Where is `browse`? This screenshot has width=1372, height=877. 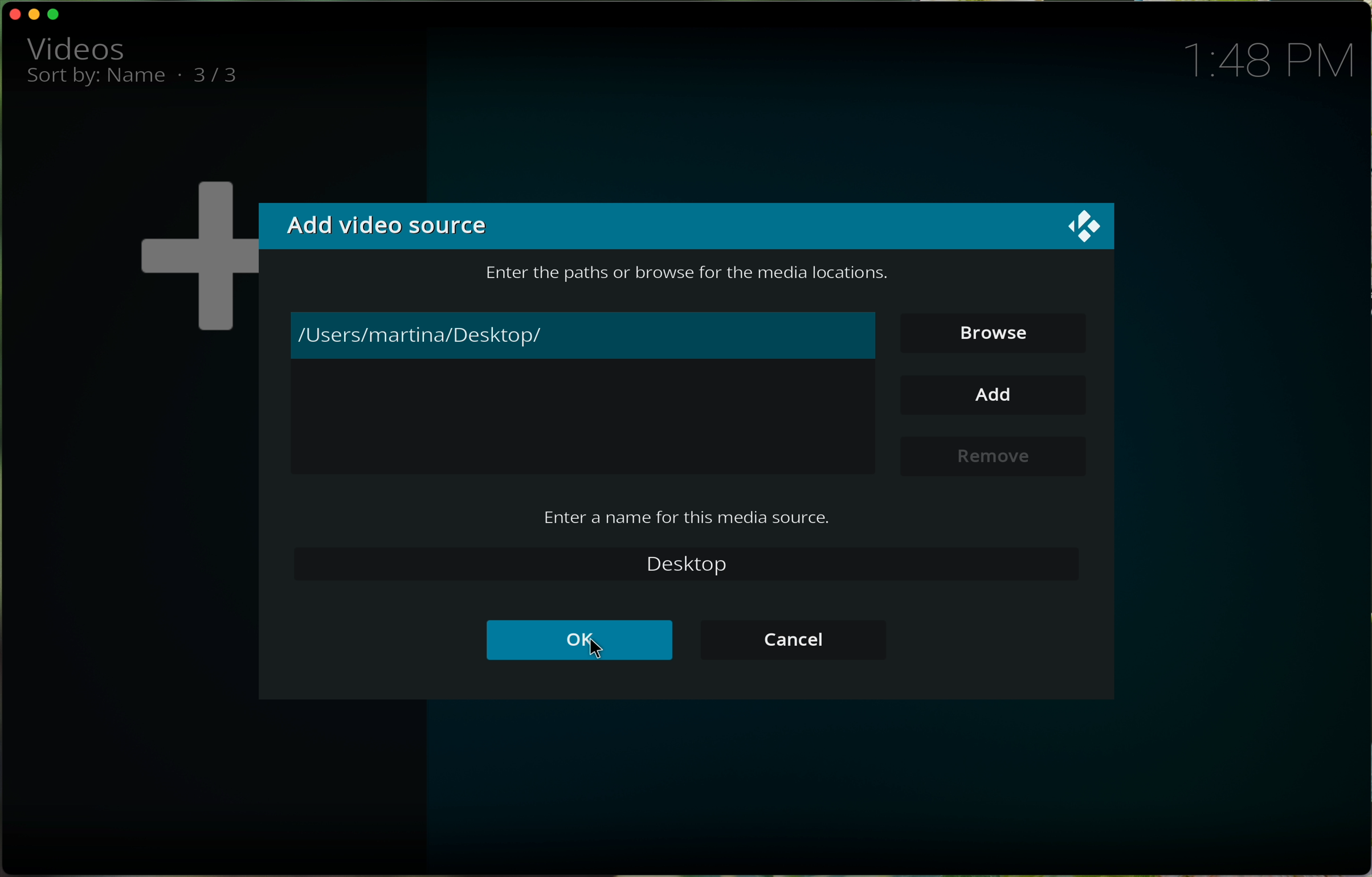 browse is located at coordinates (984, 330).